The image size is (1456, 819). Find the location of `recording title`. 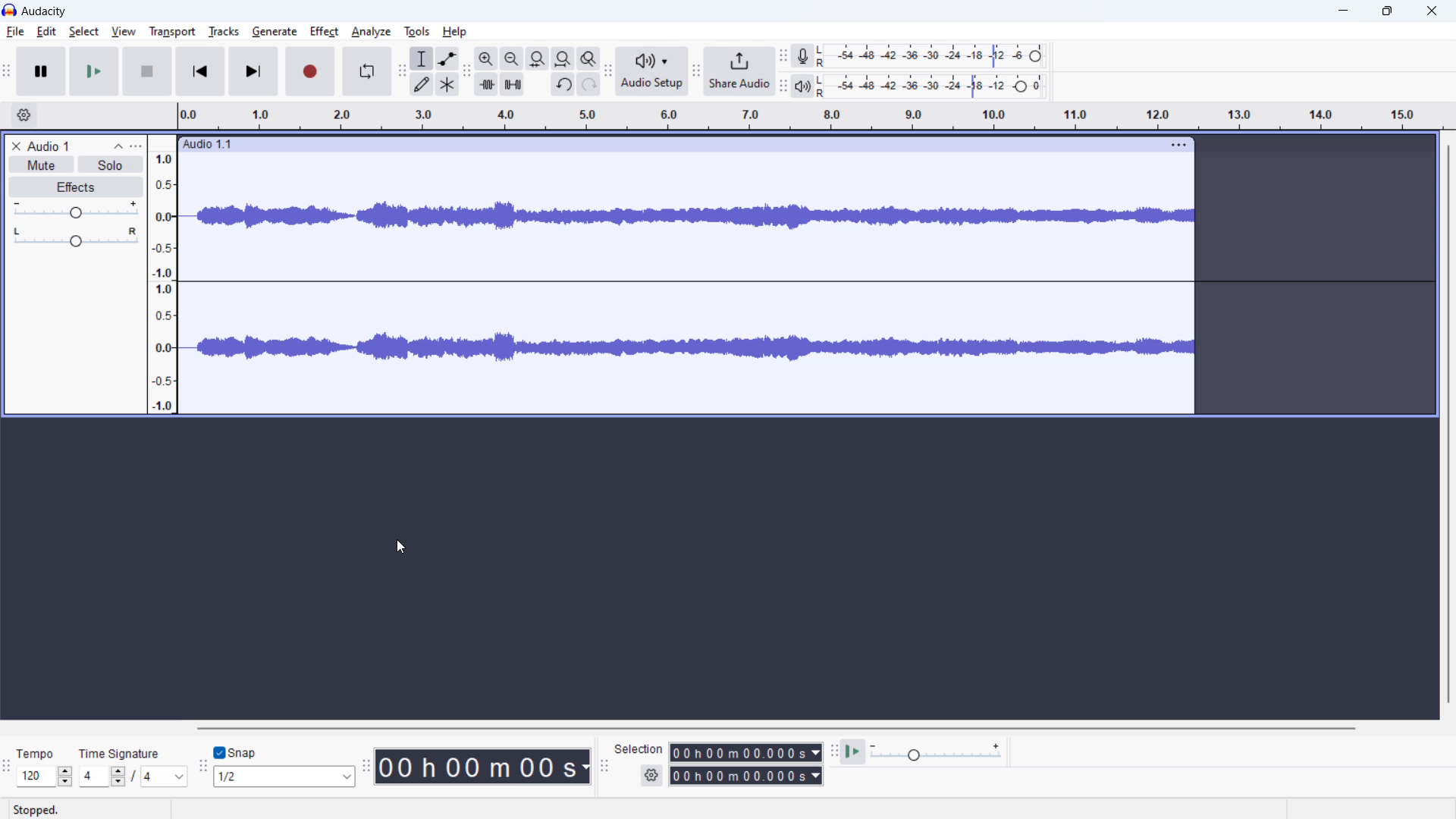

recording title is located at coordinates (49, 146).